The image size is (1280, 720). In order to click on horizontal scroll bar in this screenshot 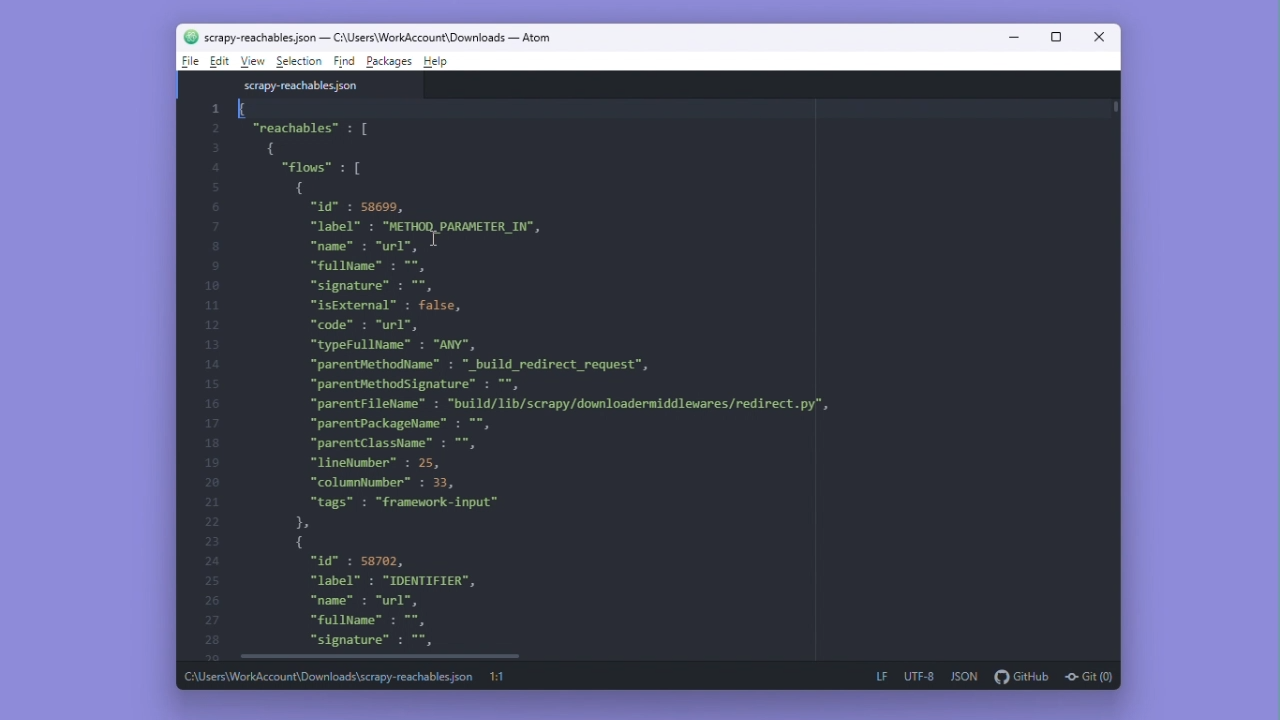, I will do `click(361, 656)`.